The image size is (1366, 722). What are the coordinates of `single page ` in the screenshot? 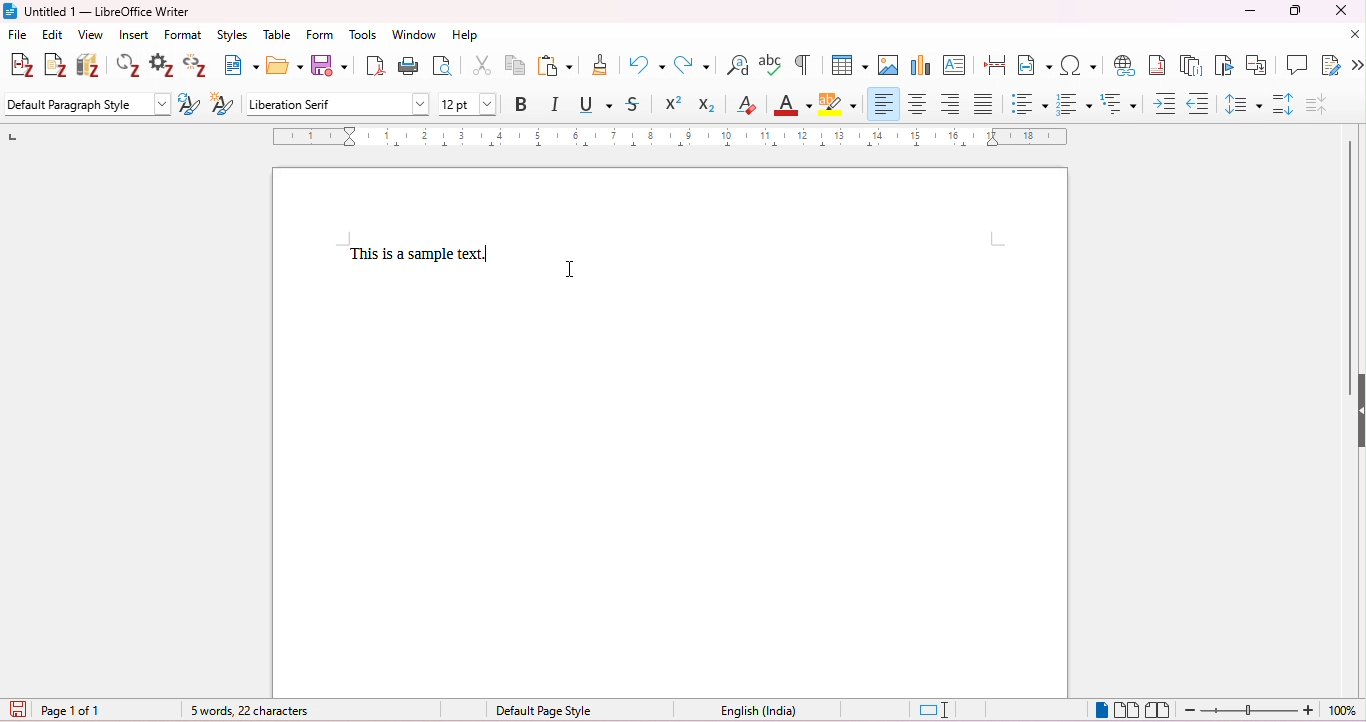 It's located at (1101, 711).